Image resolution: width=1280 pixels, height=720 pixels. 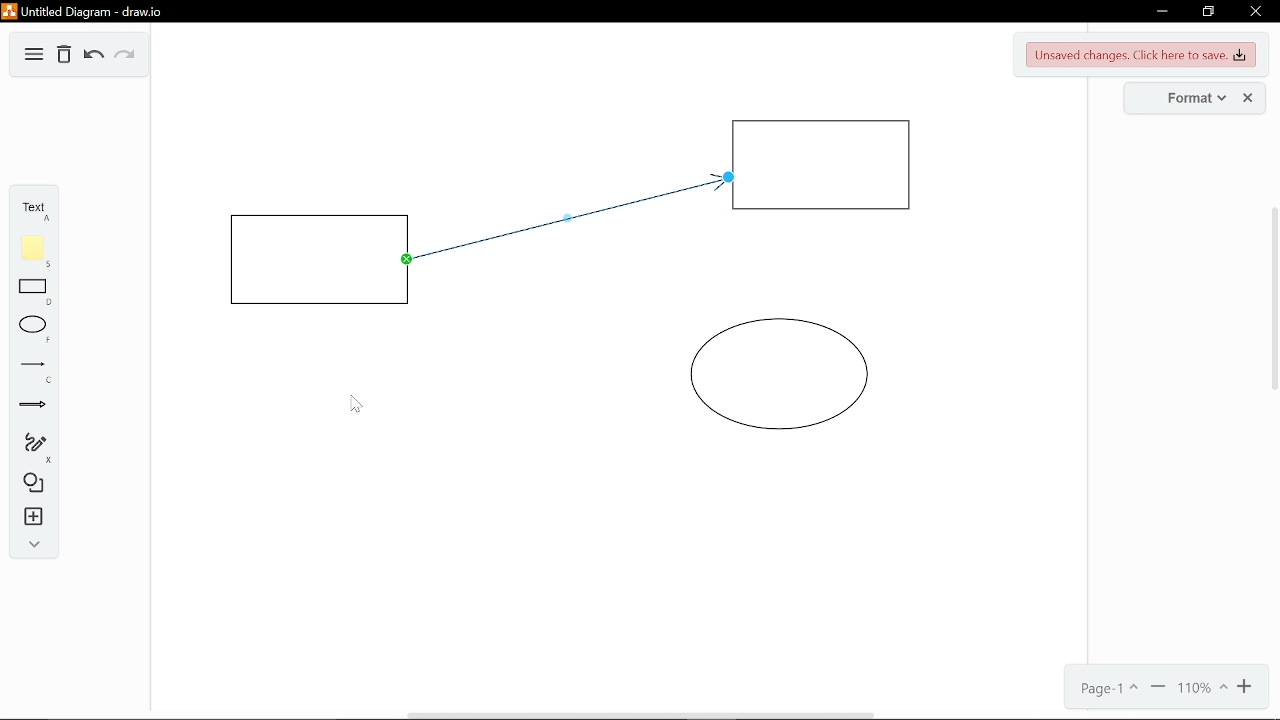 I want to click on circle, so click(x=780, y=374).